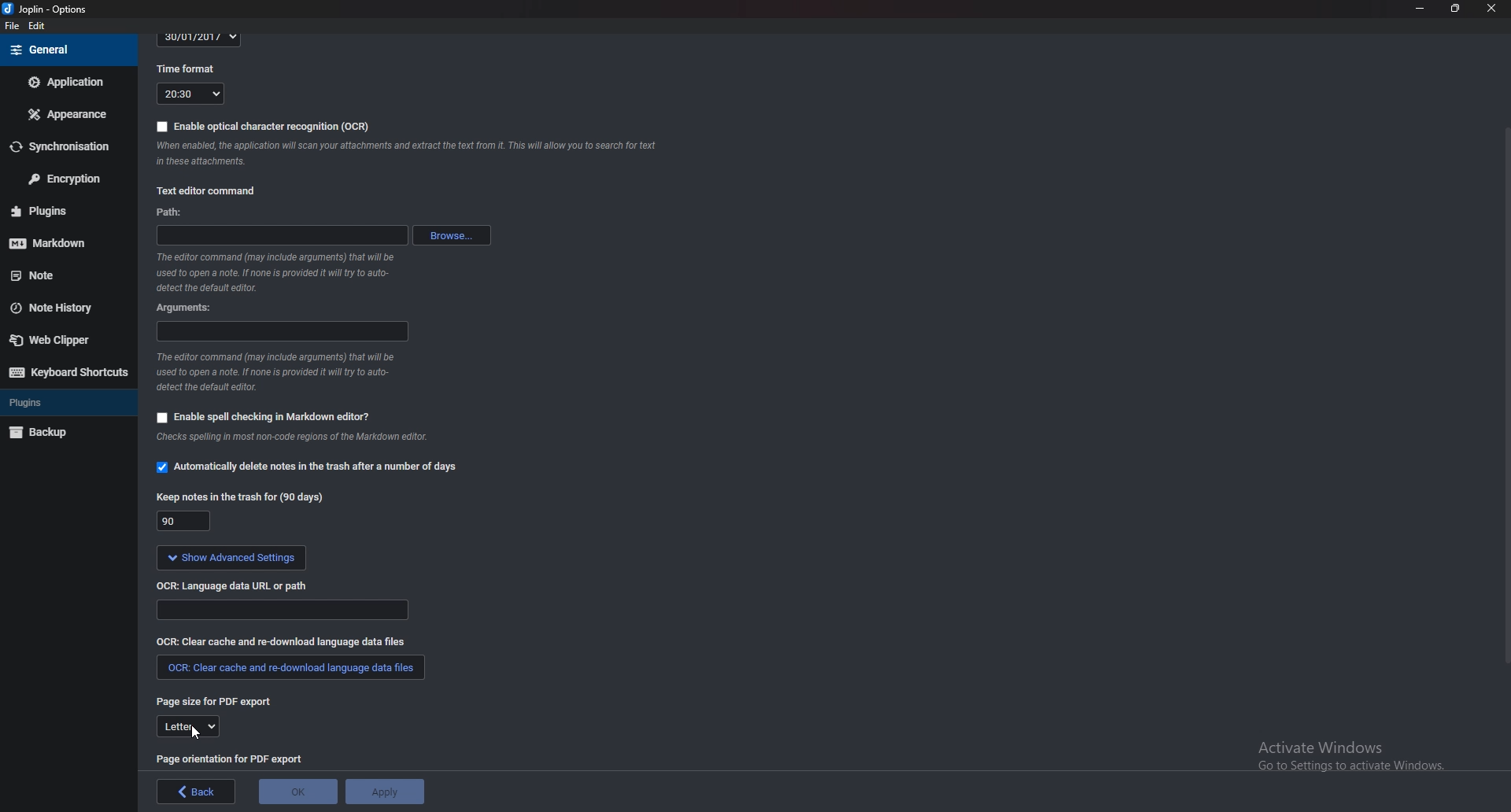  What do you see at coordinates (232, 758) in the screenshot?
I see `page orientation for P D F export` at bounding box center [232, 758].